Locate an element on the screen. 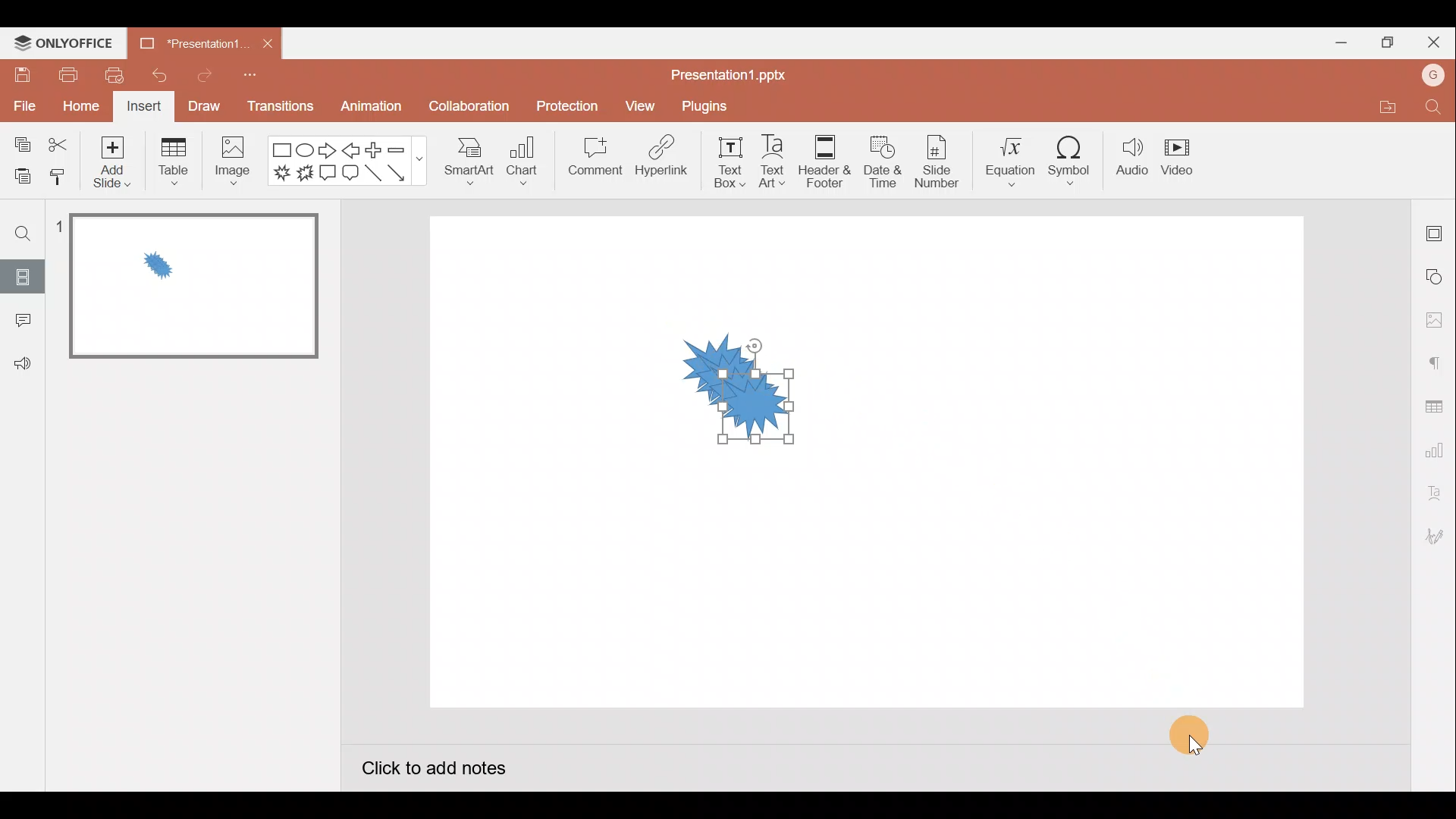 Image resolution: width=1456 pixels, height=819 pixels. Presentation1. is located at coordinates (190, 41).